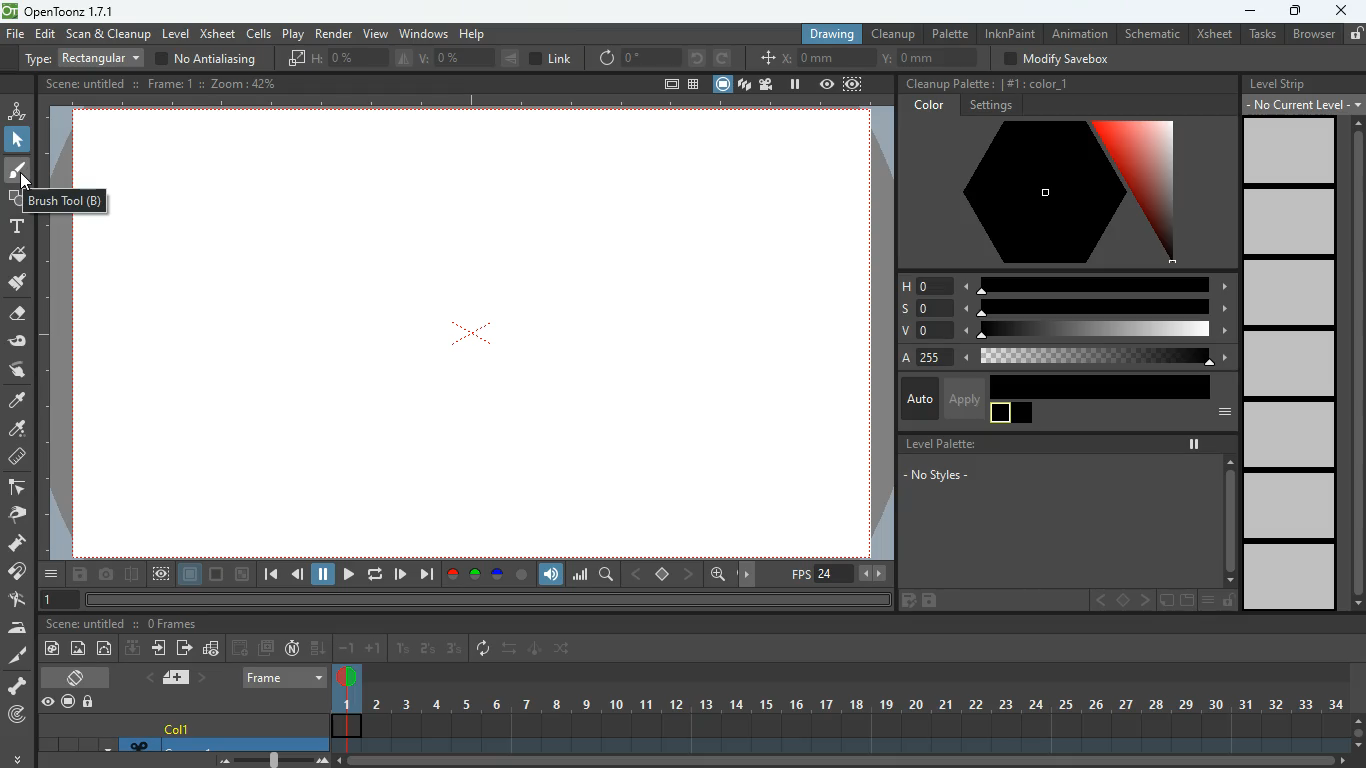 This screenshot has width=1366, height=768. What do you see at coordinates (639, 57) in the screenshot?
I see `rotation` at bounding box center [639, 57].